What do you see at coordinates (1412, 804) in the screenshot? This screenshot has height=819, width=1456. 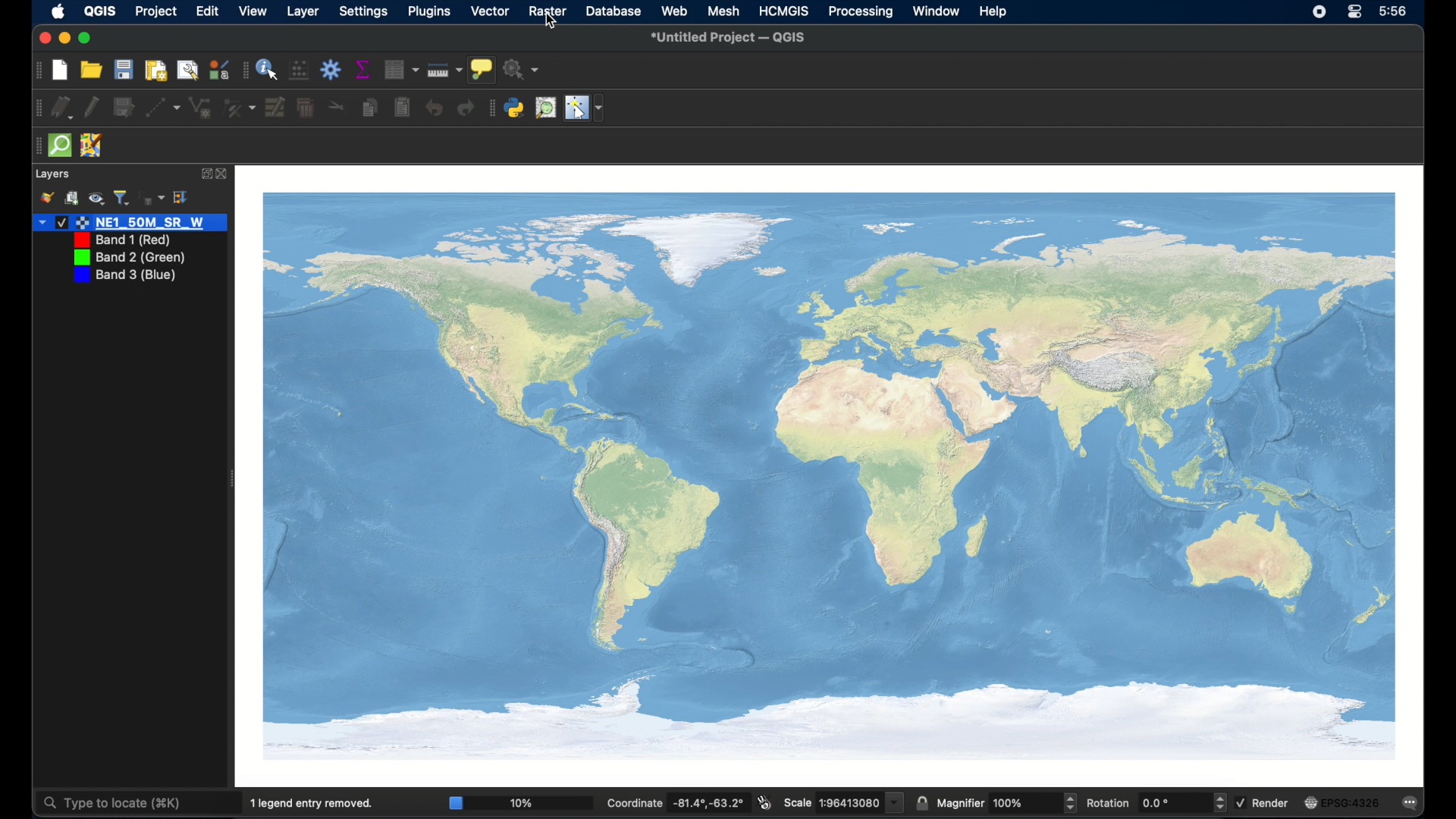 I see `messages` at bounding box center [1412, 804].